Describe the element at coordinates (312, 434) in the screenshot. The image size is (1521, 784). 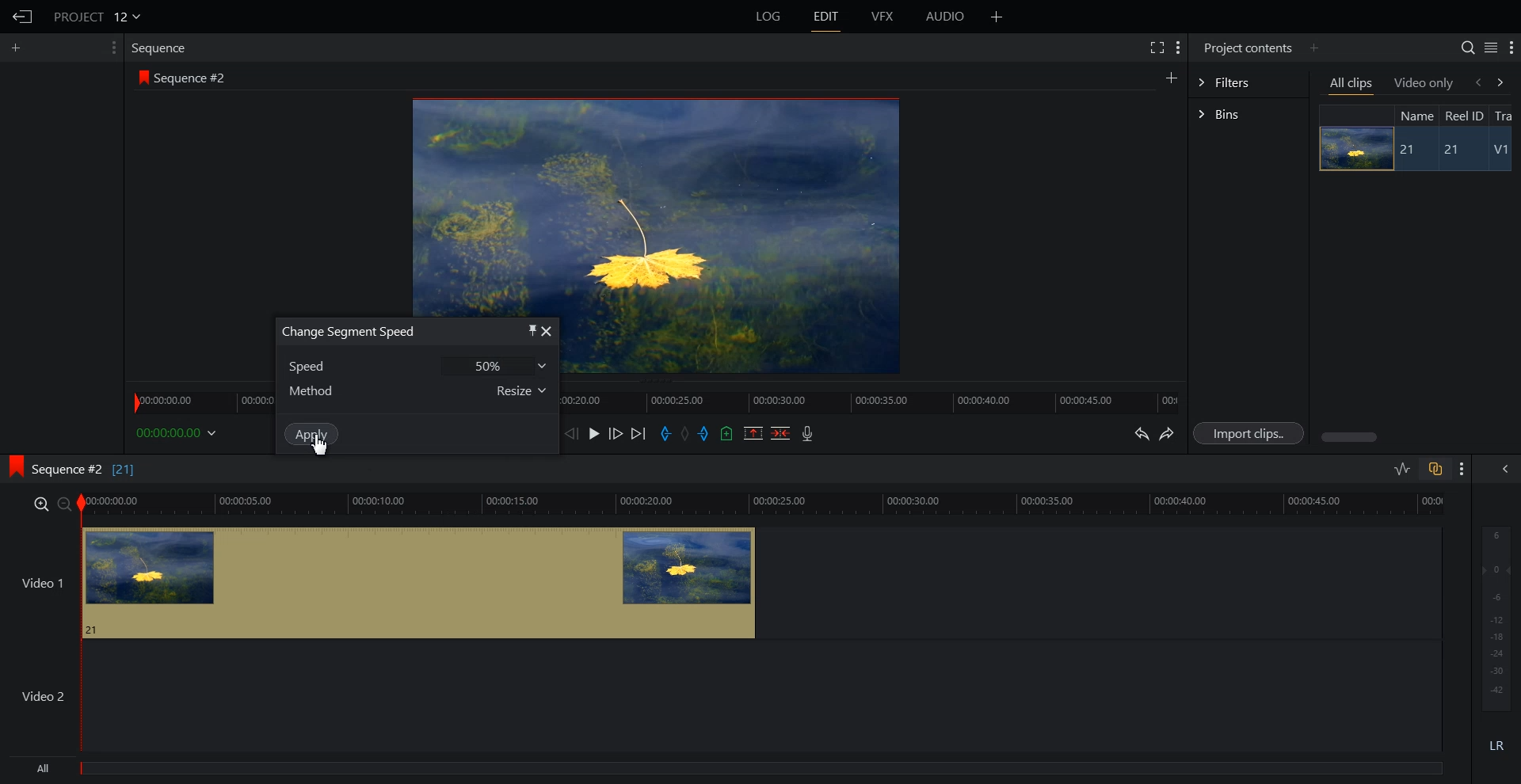
I see `Apply` at that location.